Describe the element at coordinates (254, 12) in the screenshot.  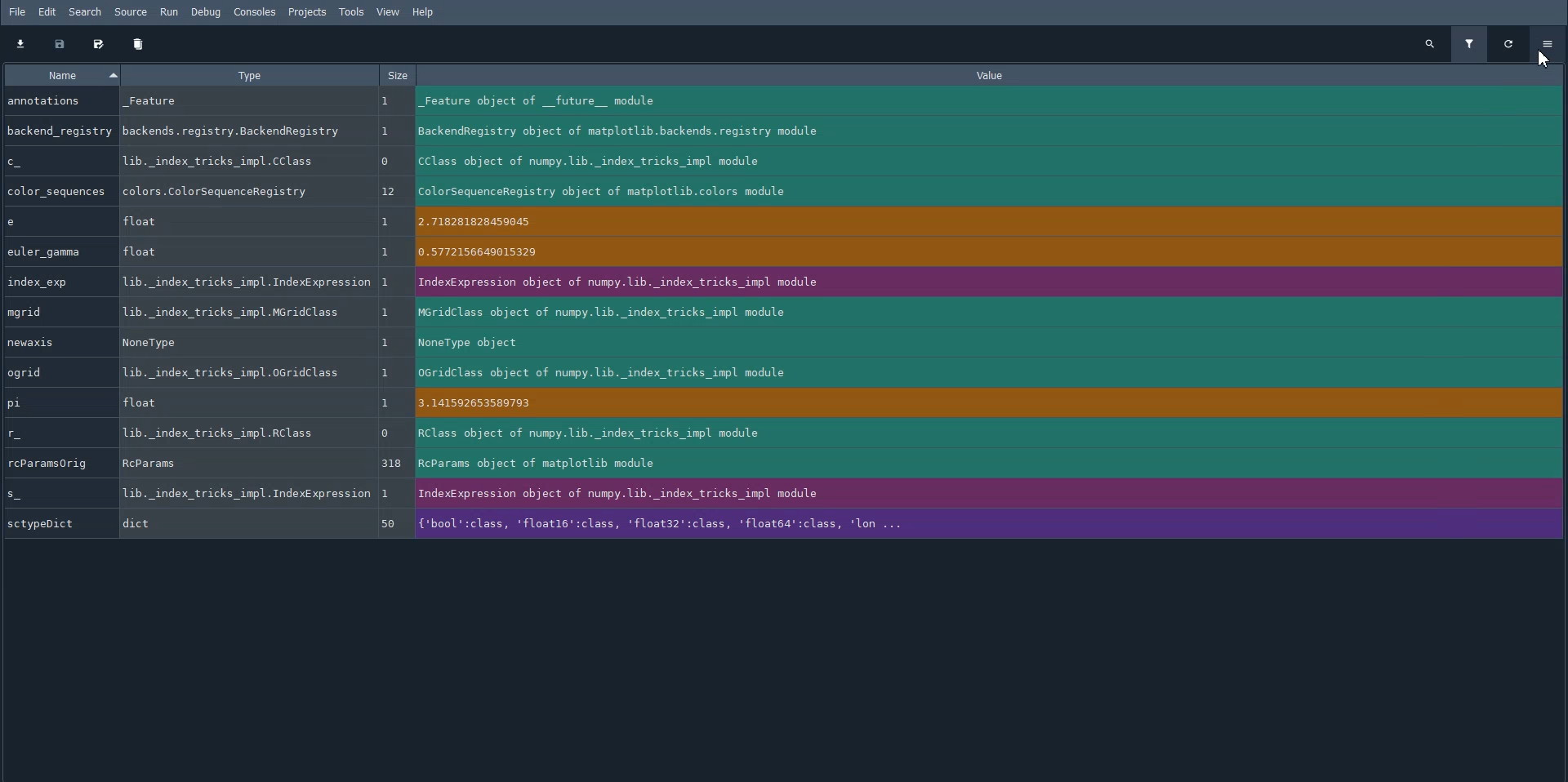
I see `Consoles` at that location.